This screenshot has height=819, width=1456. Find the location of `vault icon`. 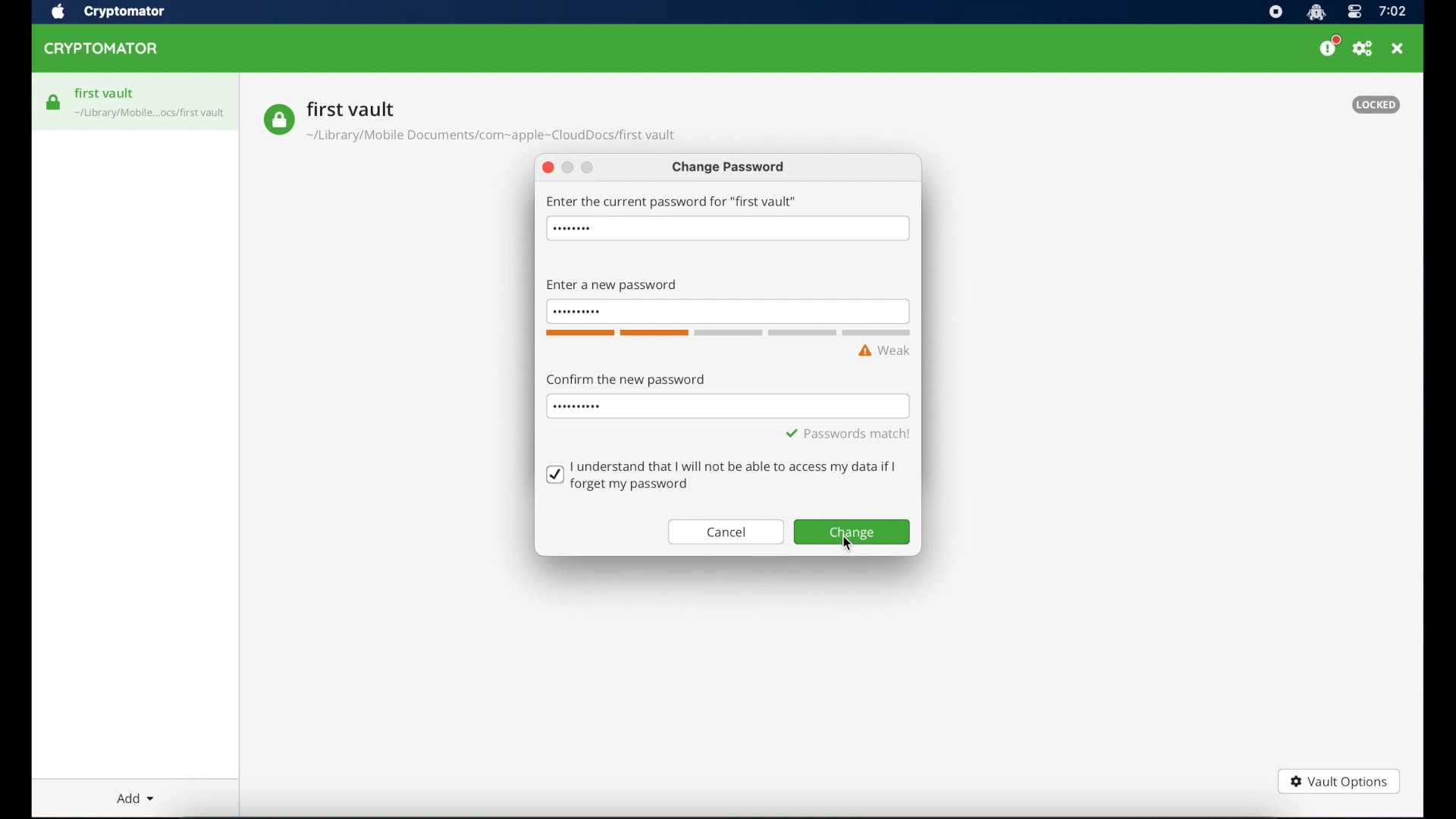

vault icon is located at coordinates (54, 102).